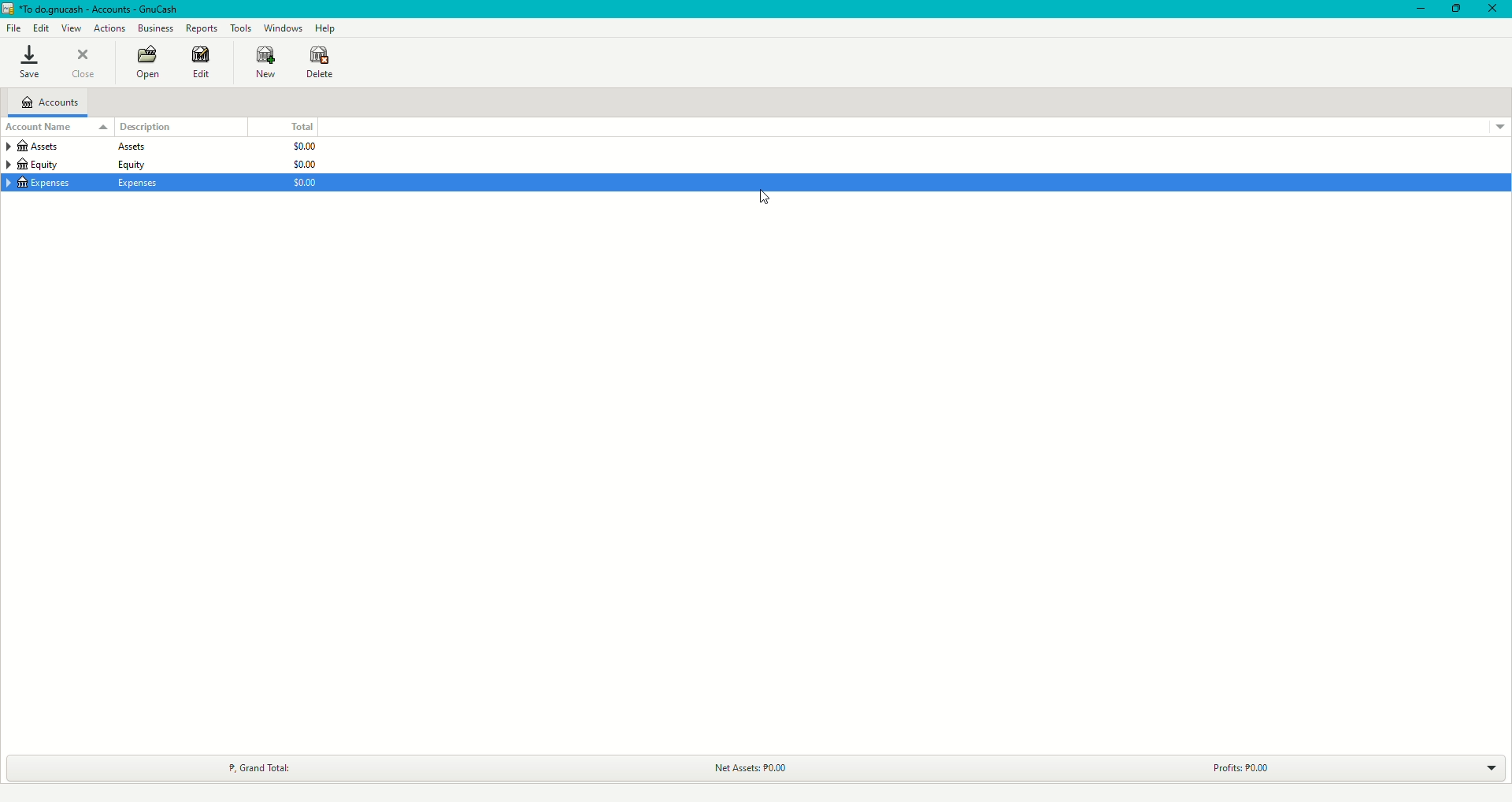 This screenshot has height=802, width=1512. I want to click on Edit, so click(203, 63).